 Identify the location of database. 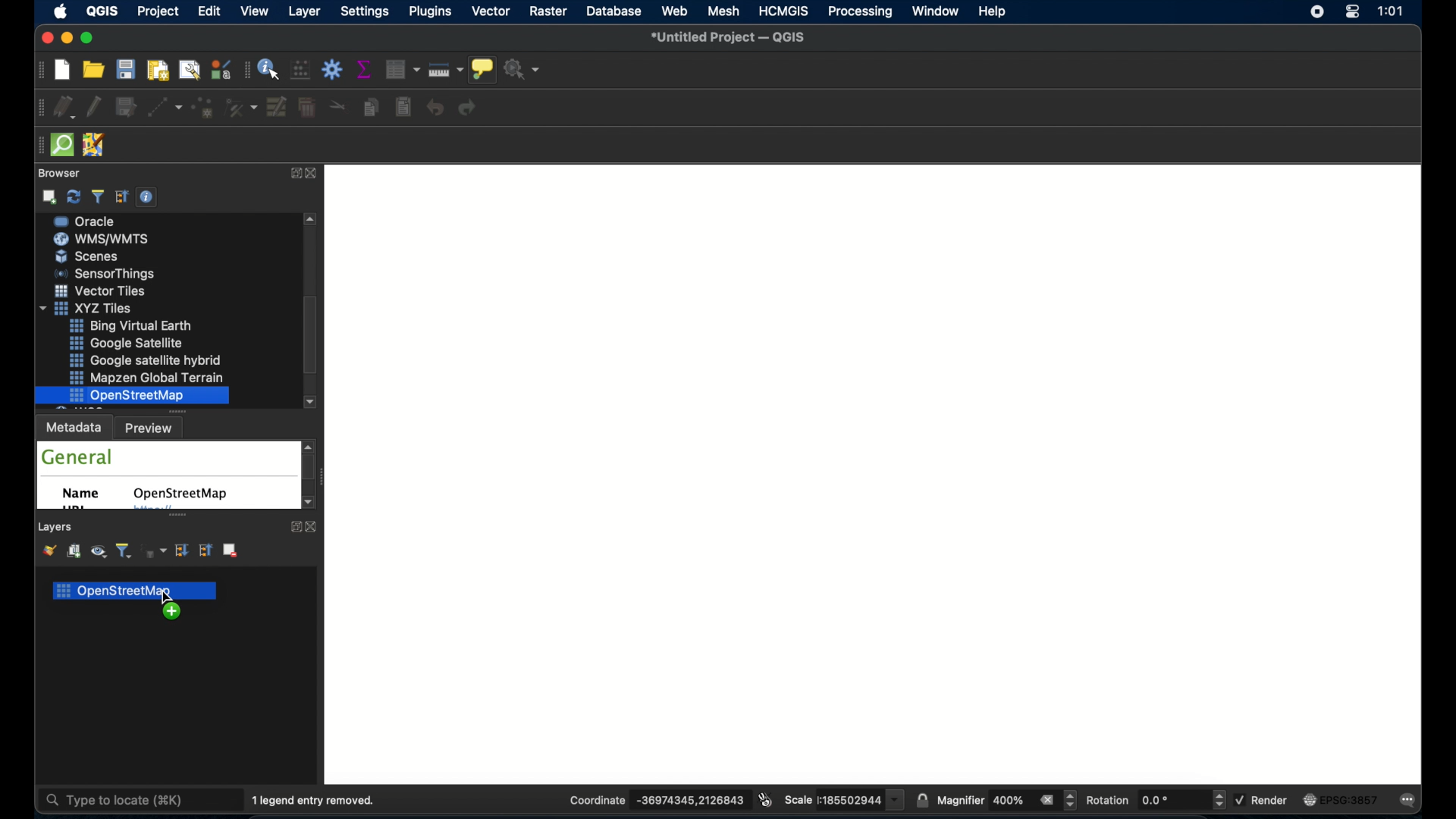
(616, 11).